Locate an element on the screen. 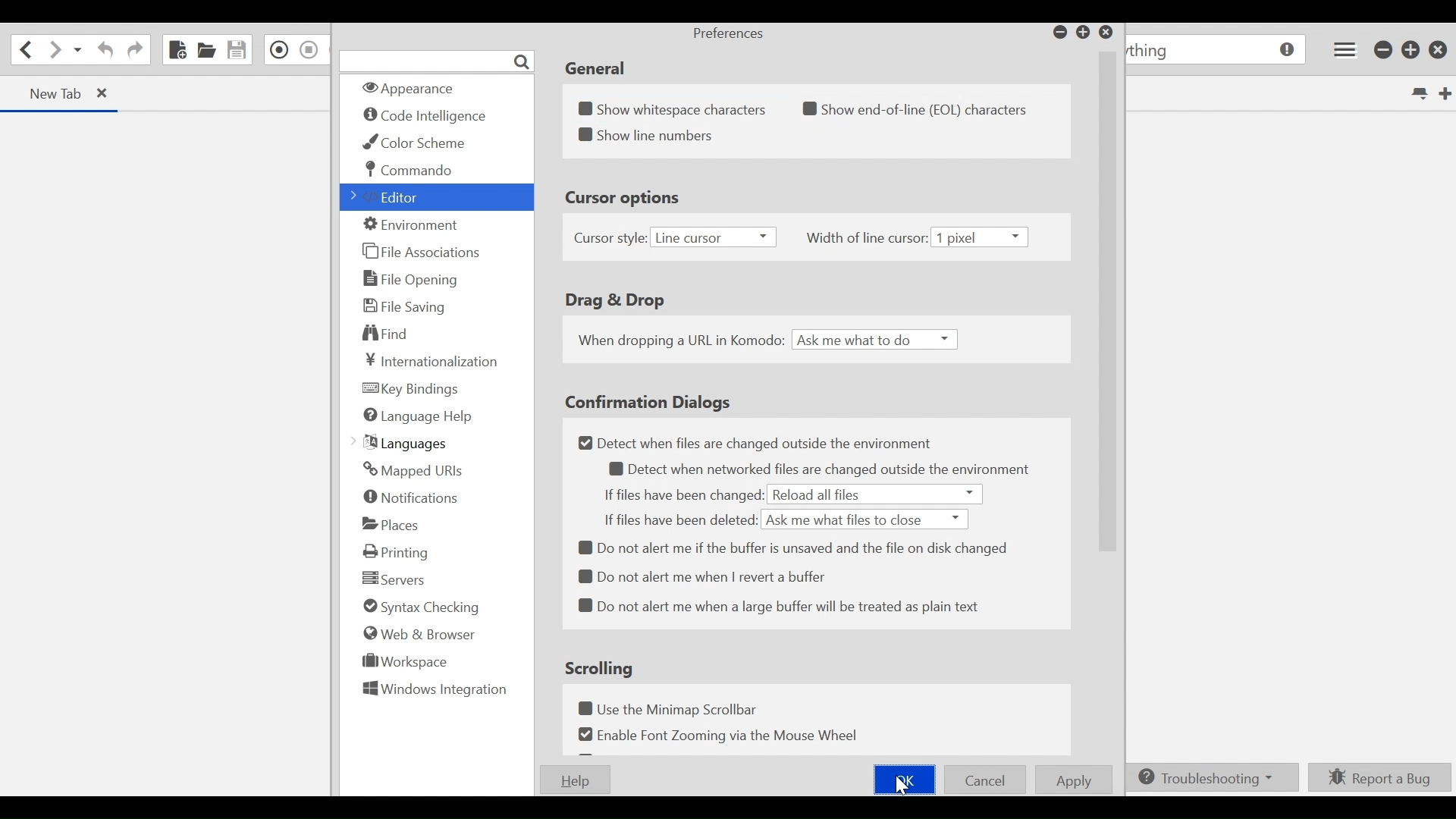 This screenshot has width=1456, height=819. When dropping a URL in Komodo: is located at coordinates (679, 340).